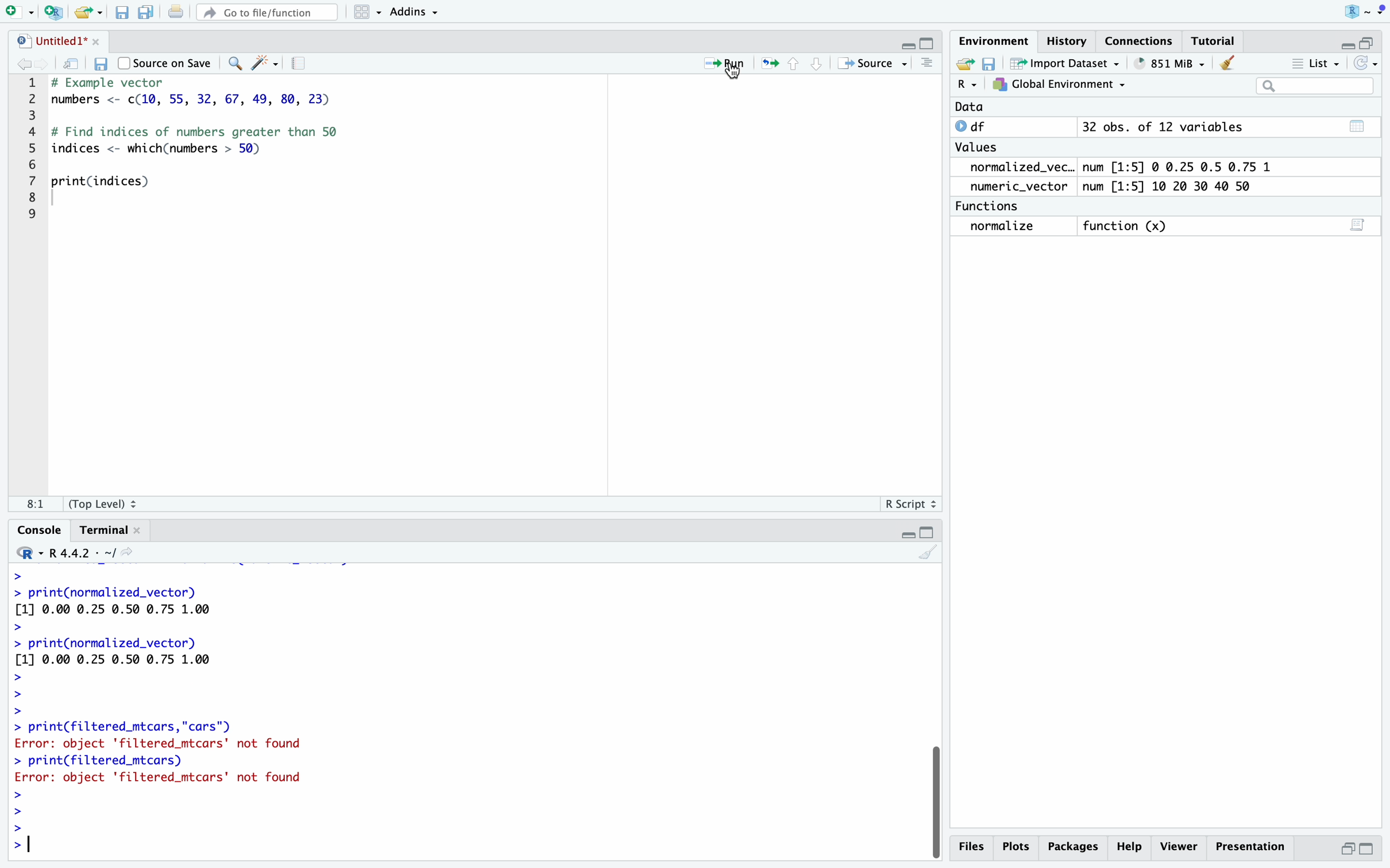 The image size is (1390, 868). I want to click on MINIMISE, so click(905, 532).